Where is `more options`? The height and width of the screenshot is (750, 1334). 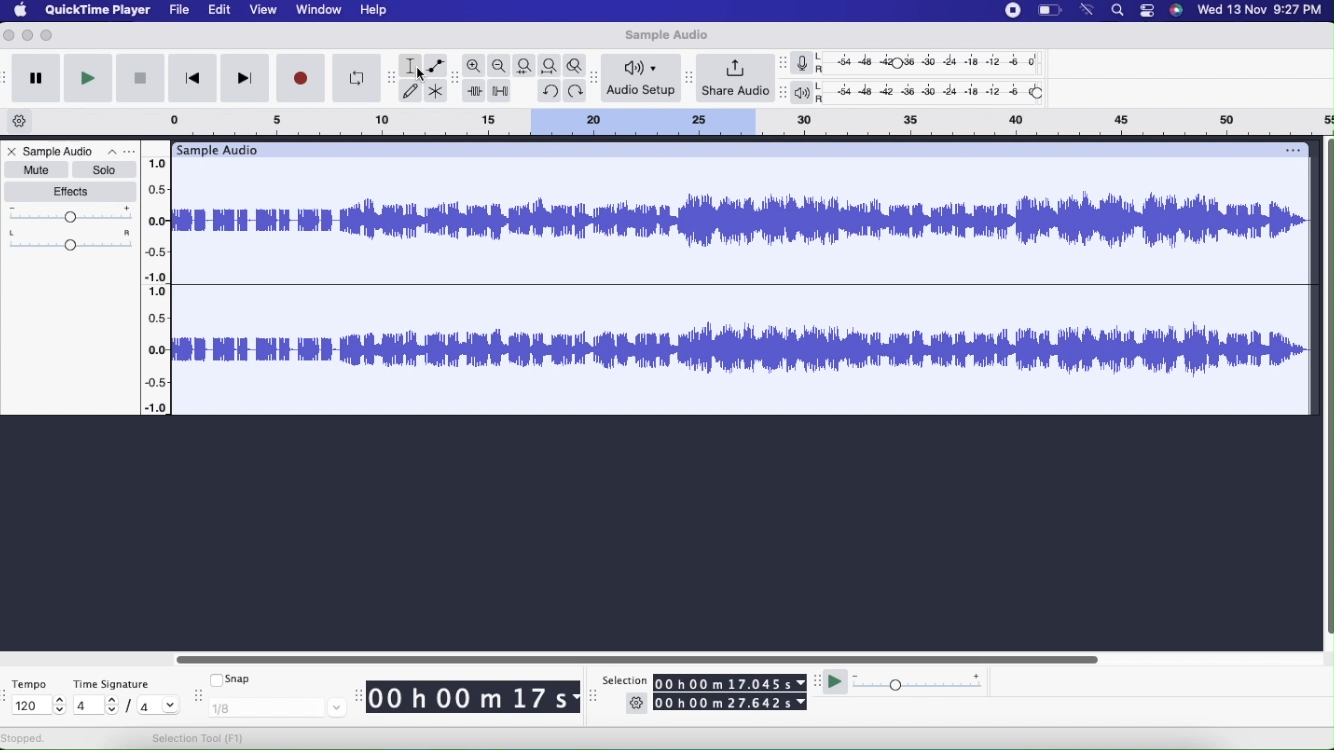
more options is located at coordinates (118, 152).